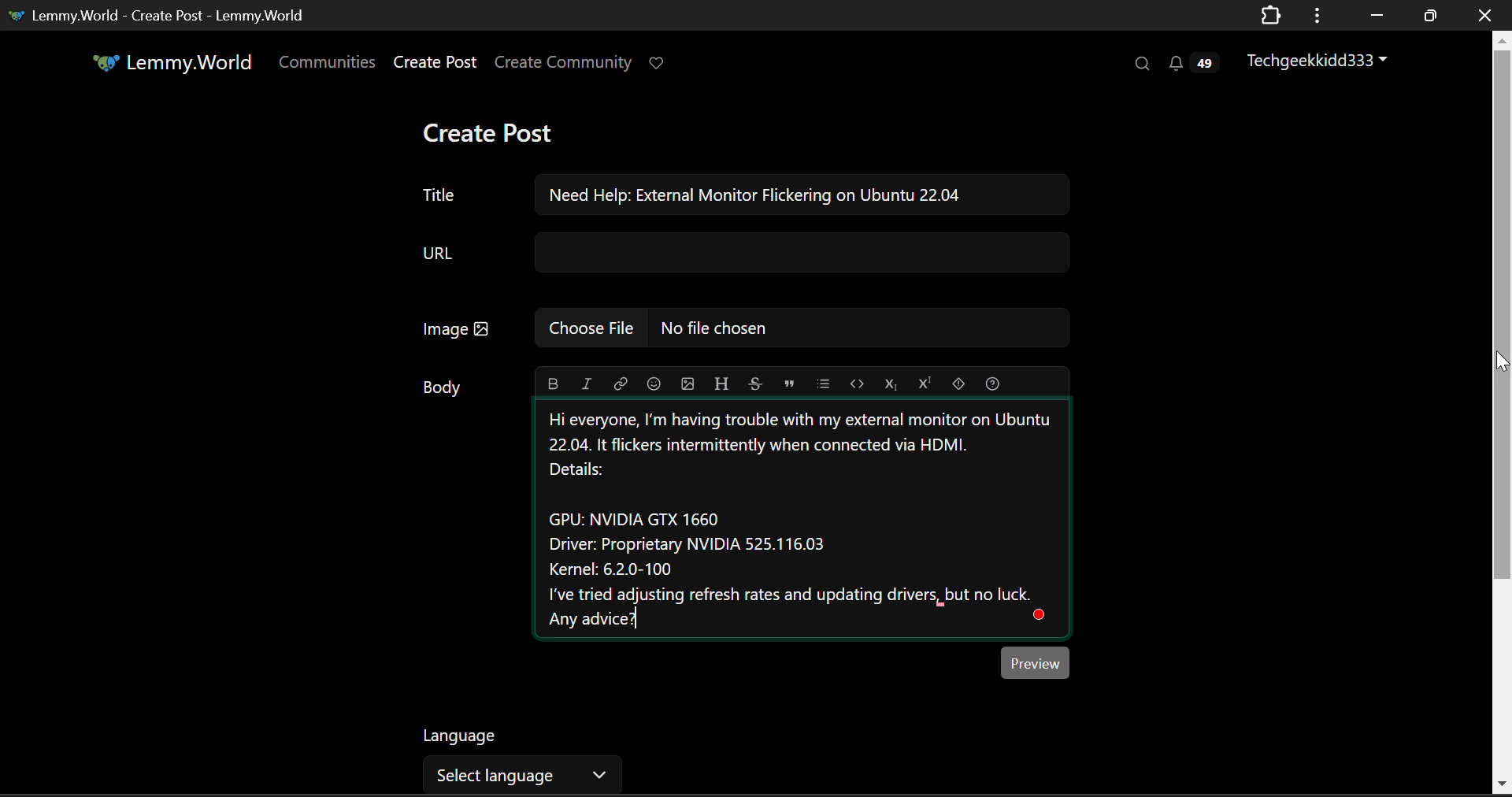  I want to click on Italic, so click(585, 385).